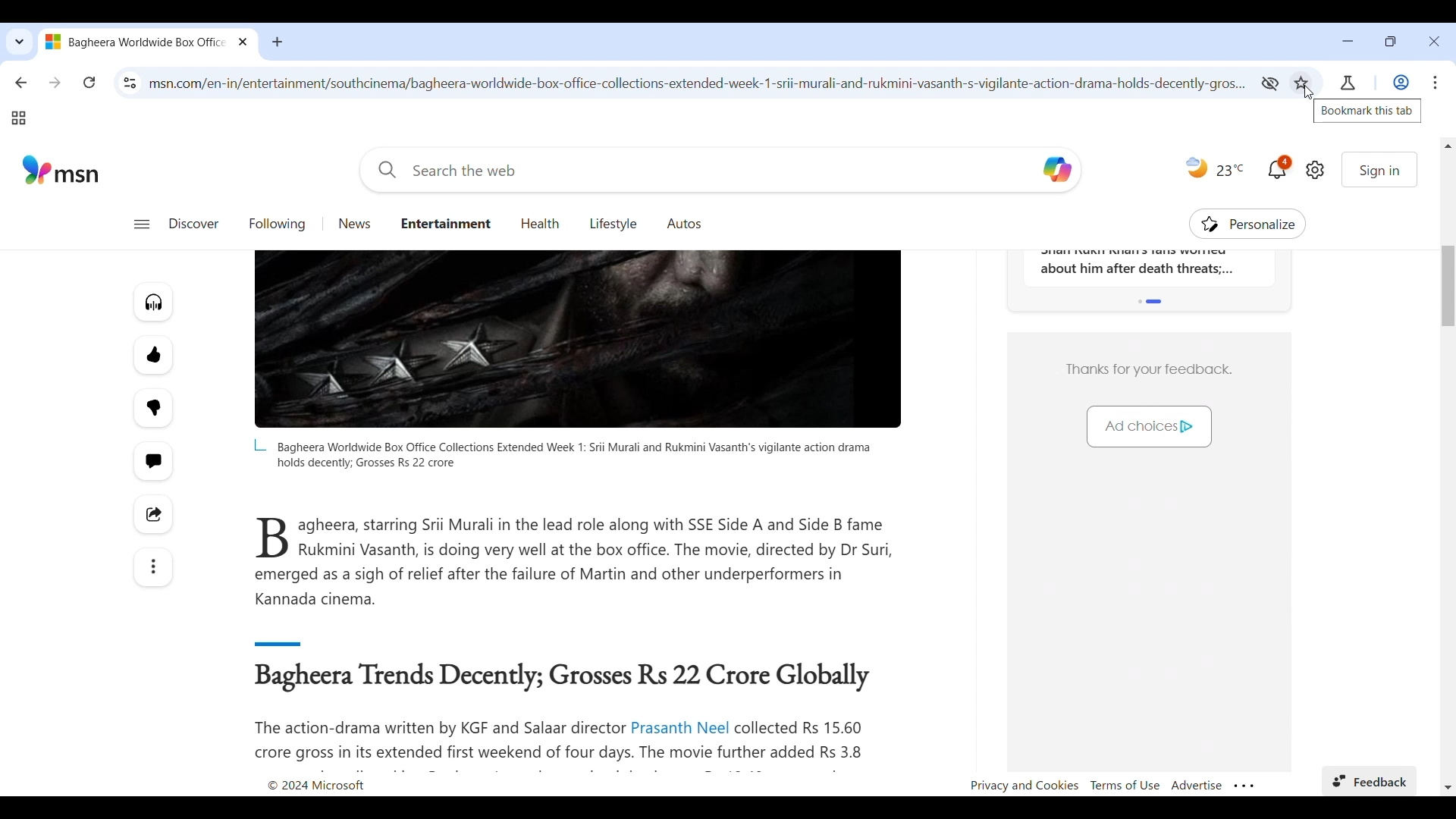 The width and height of the screenshot is (1456, 819). I want to click on Description of Bookmark this tab, so click(1367, 111).